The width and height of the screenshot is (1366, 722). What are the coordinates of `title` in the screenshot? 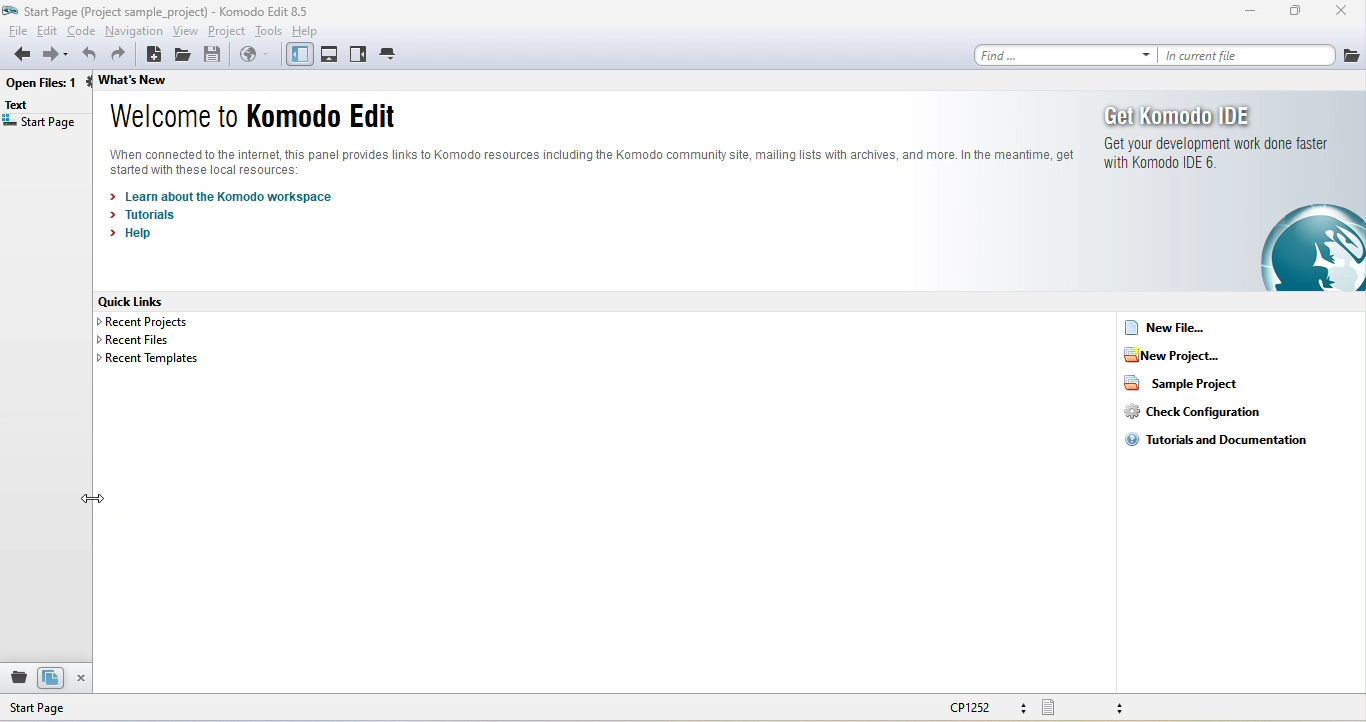 It's located at (164, 11).